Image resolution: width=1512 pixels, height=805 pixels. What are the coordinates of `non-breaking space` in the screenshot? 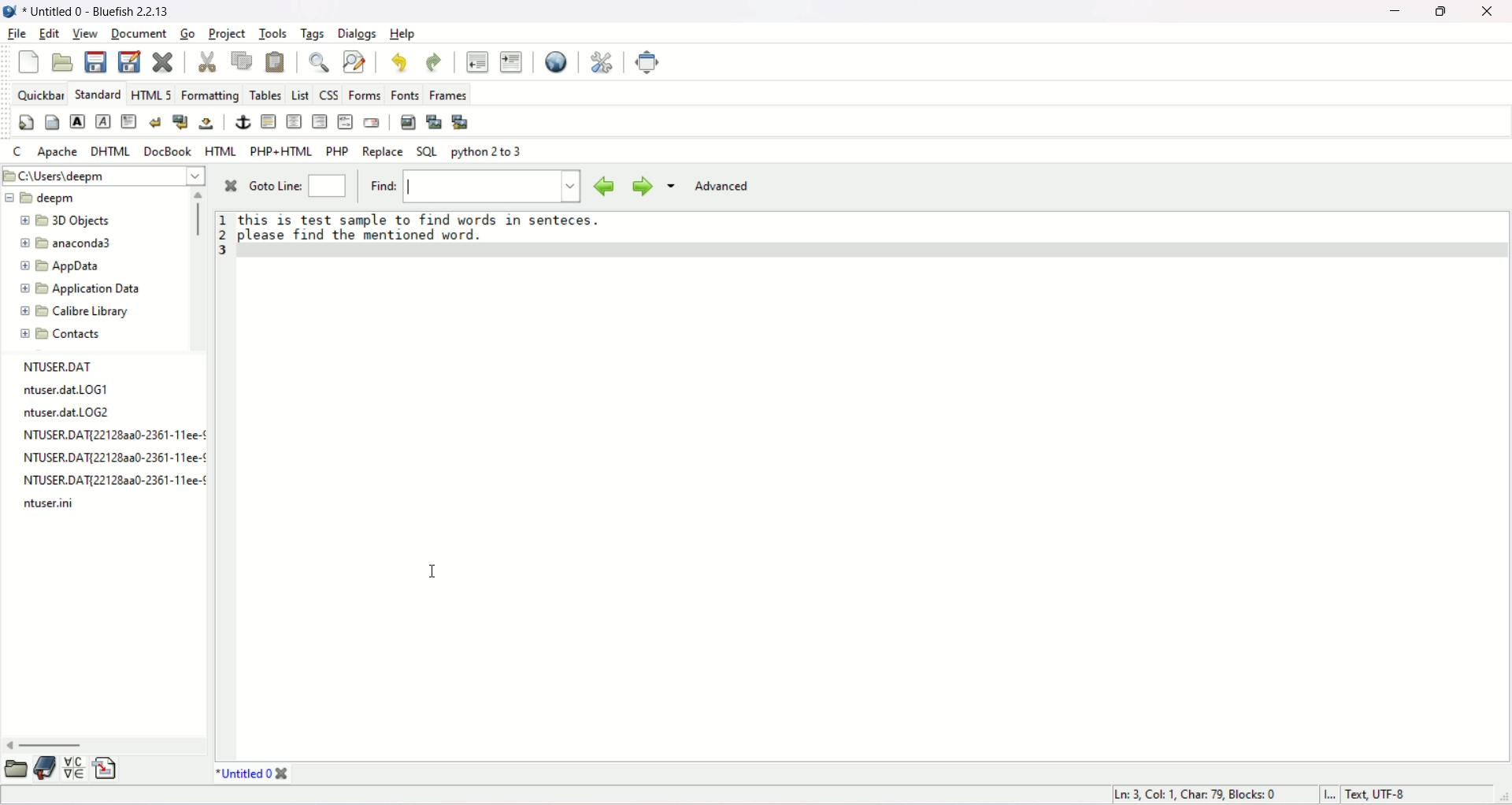 It's located at (206, 124).